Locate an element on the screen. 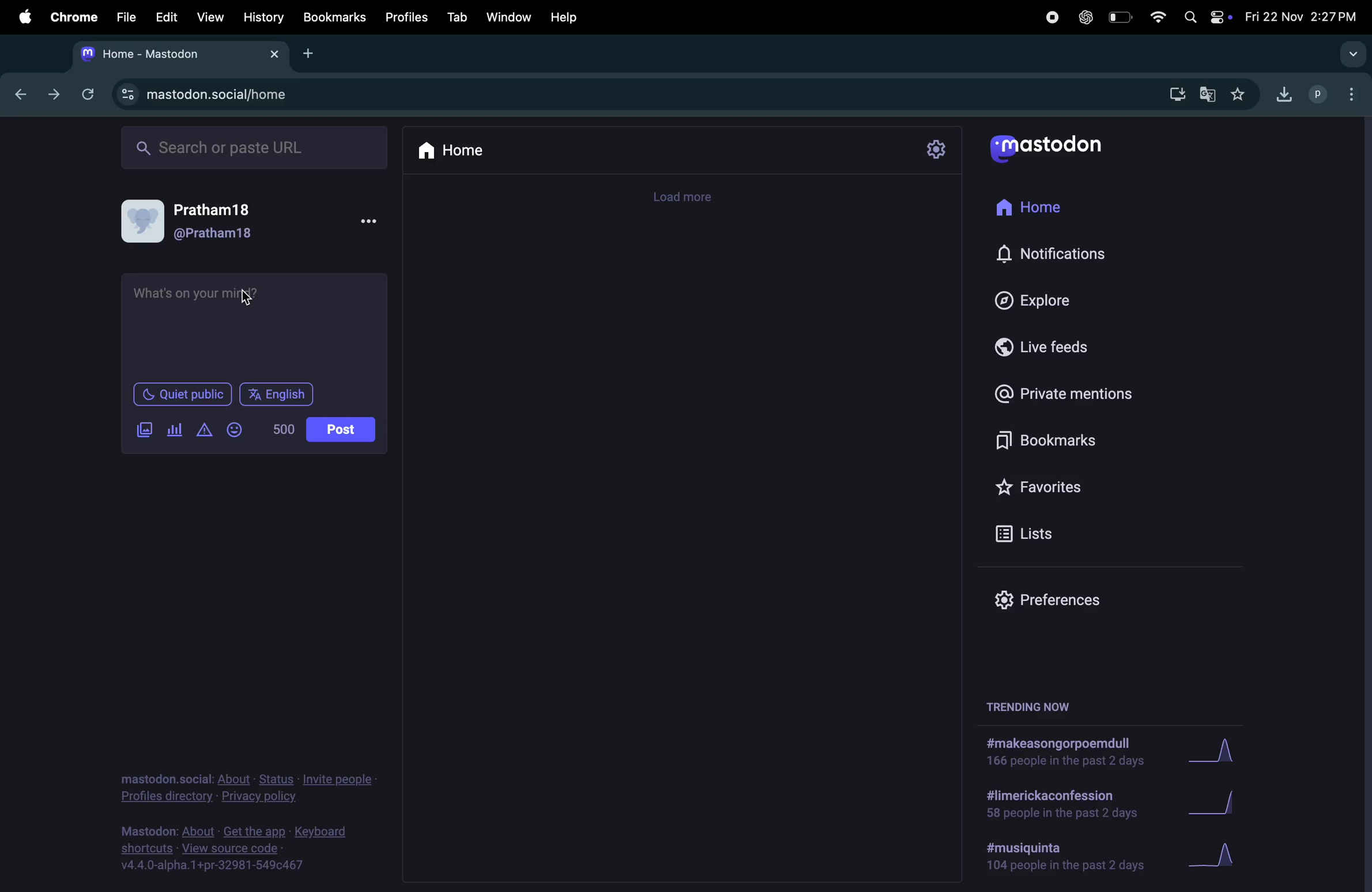 The height and width of the screenshot is (892, 1372). add is located at coordinates (315, 54).